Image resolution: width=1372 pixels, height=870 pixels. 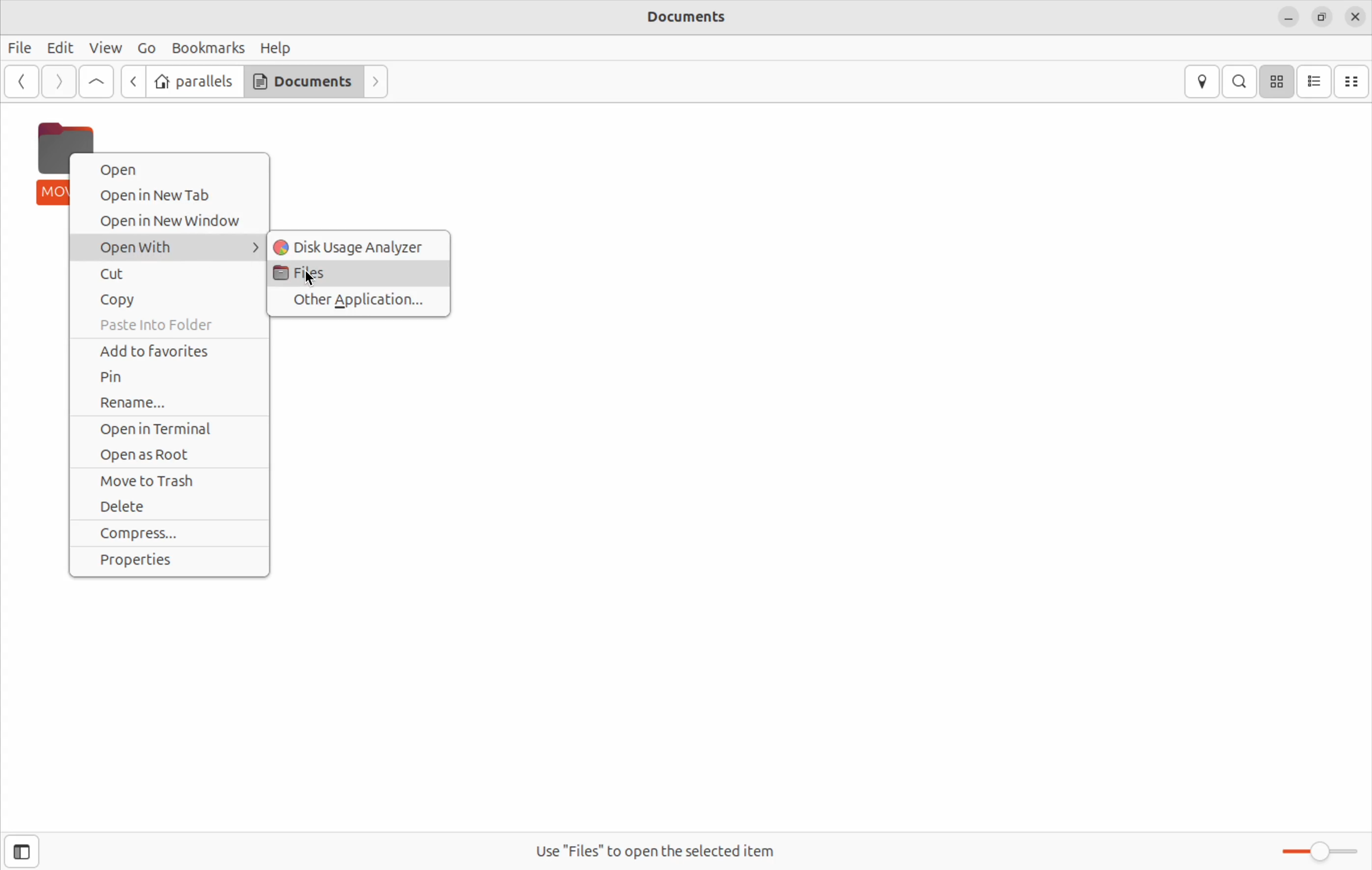 I want to click on Go up, so click(x=96, y=83).